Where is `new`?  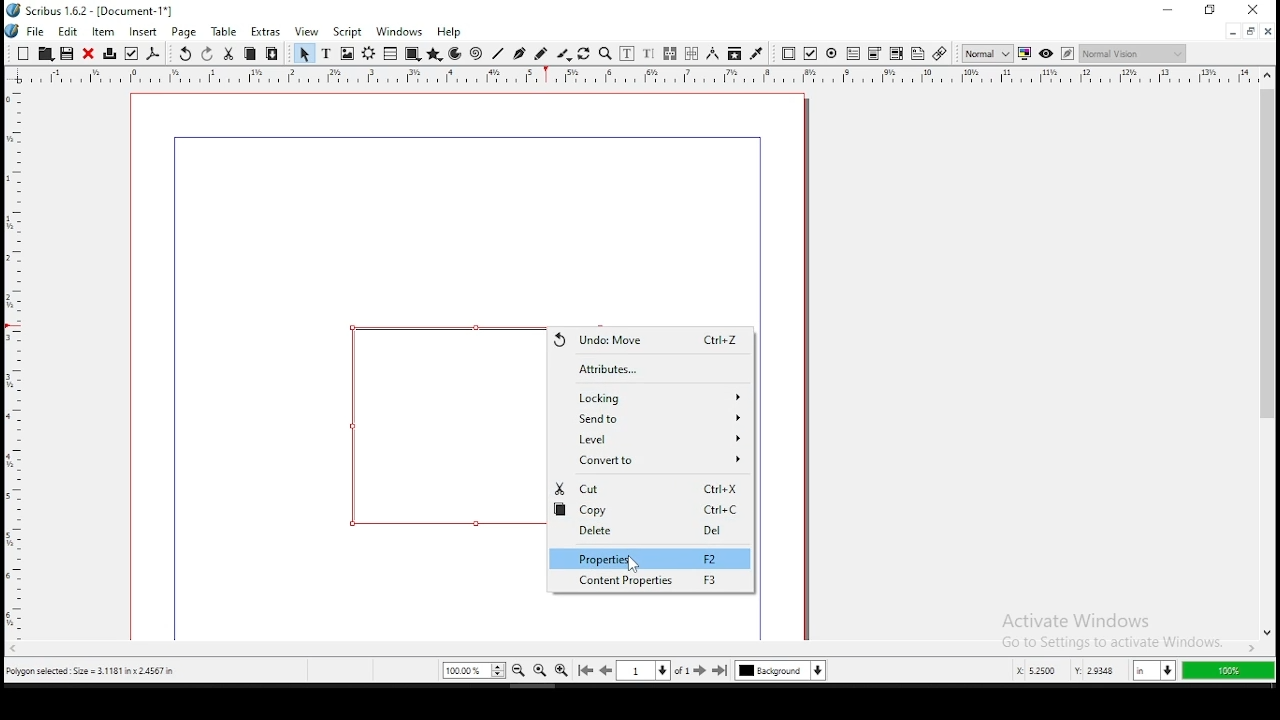 new is located at coordinates (23, 52).